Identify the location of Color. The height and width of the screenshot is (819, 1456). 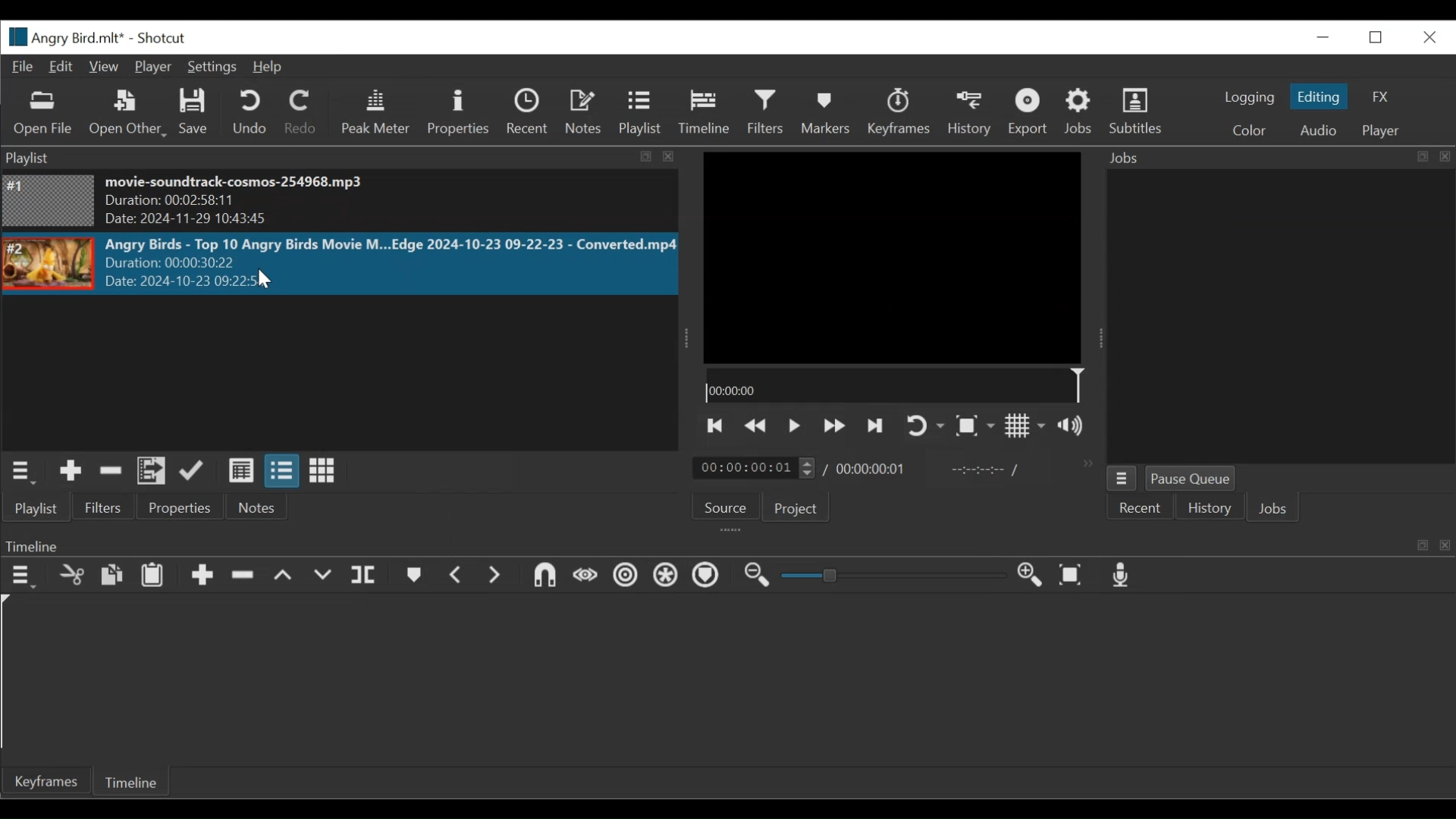
(1250, 131).